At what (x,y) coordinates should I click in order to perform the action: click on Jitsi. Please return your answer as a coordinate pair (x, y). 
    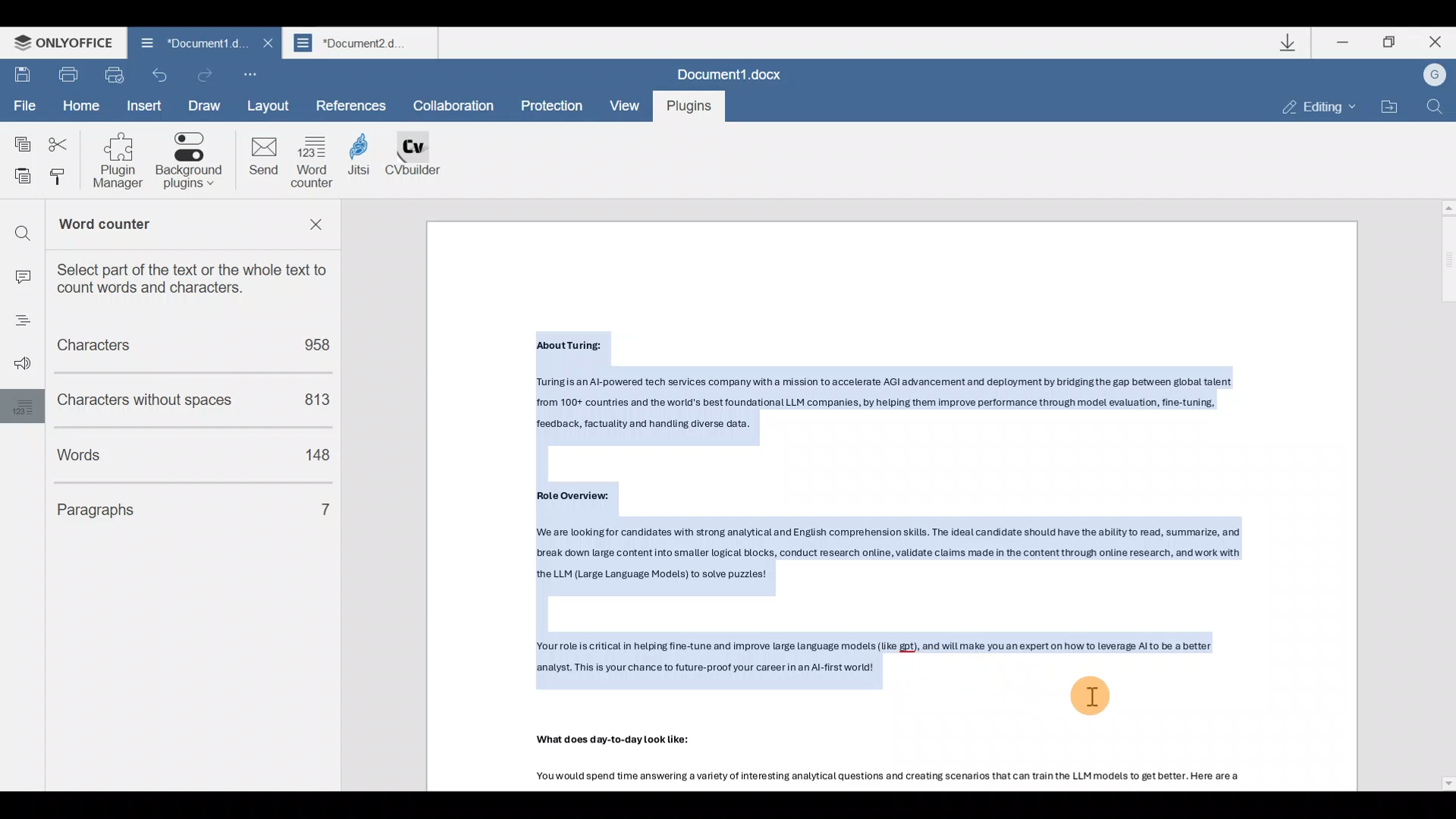
    Looking at the image, I should click on (368, 165).